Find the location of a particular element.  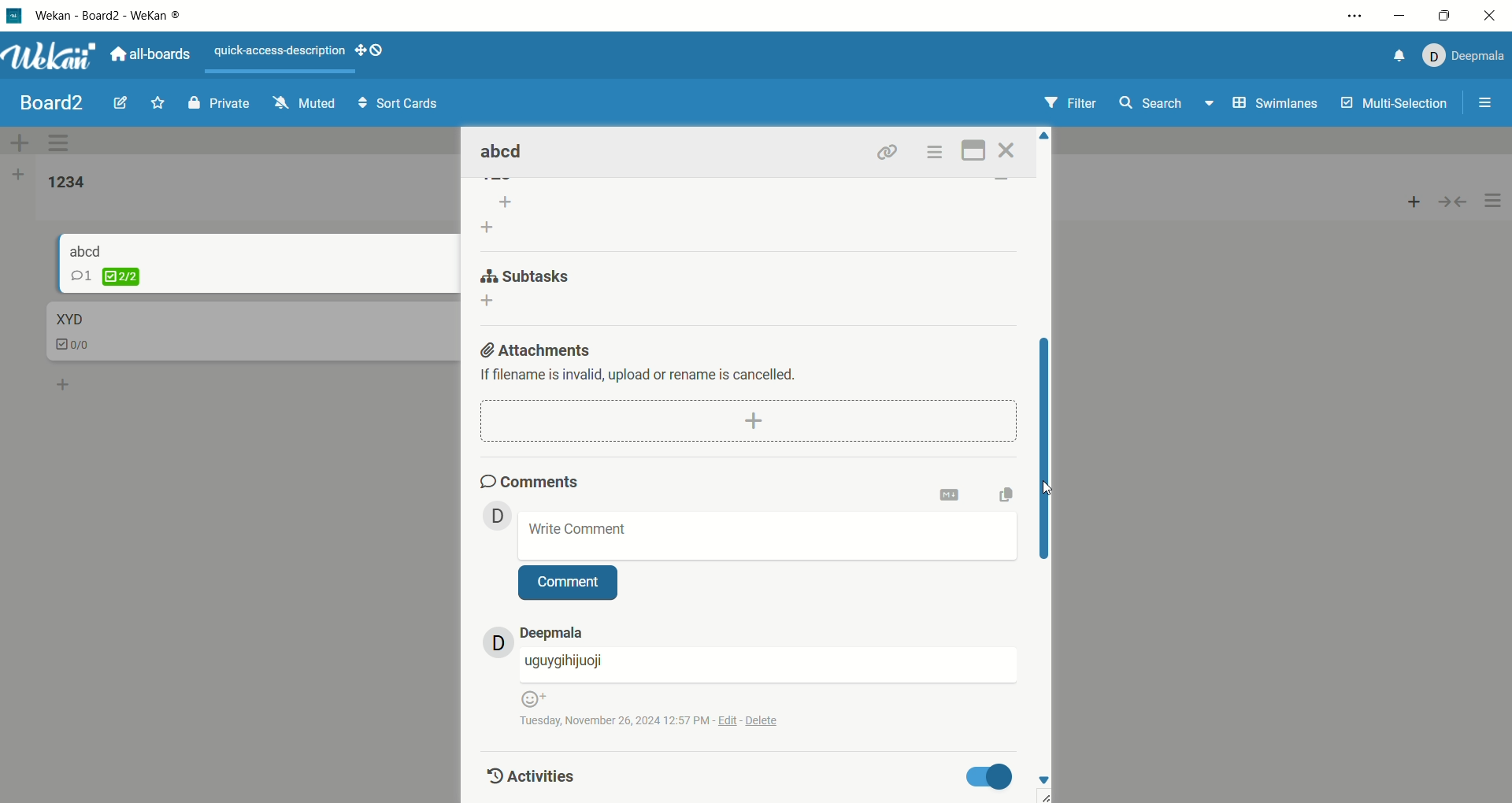

link is located at coordinates (888, 151).